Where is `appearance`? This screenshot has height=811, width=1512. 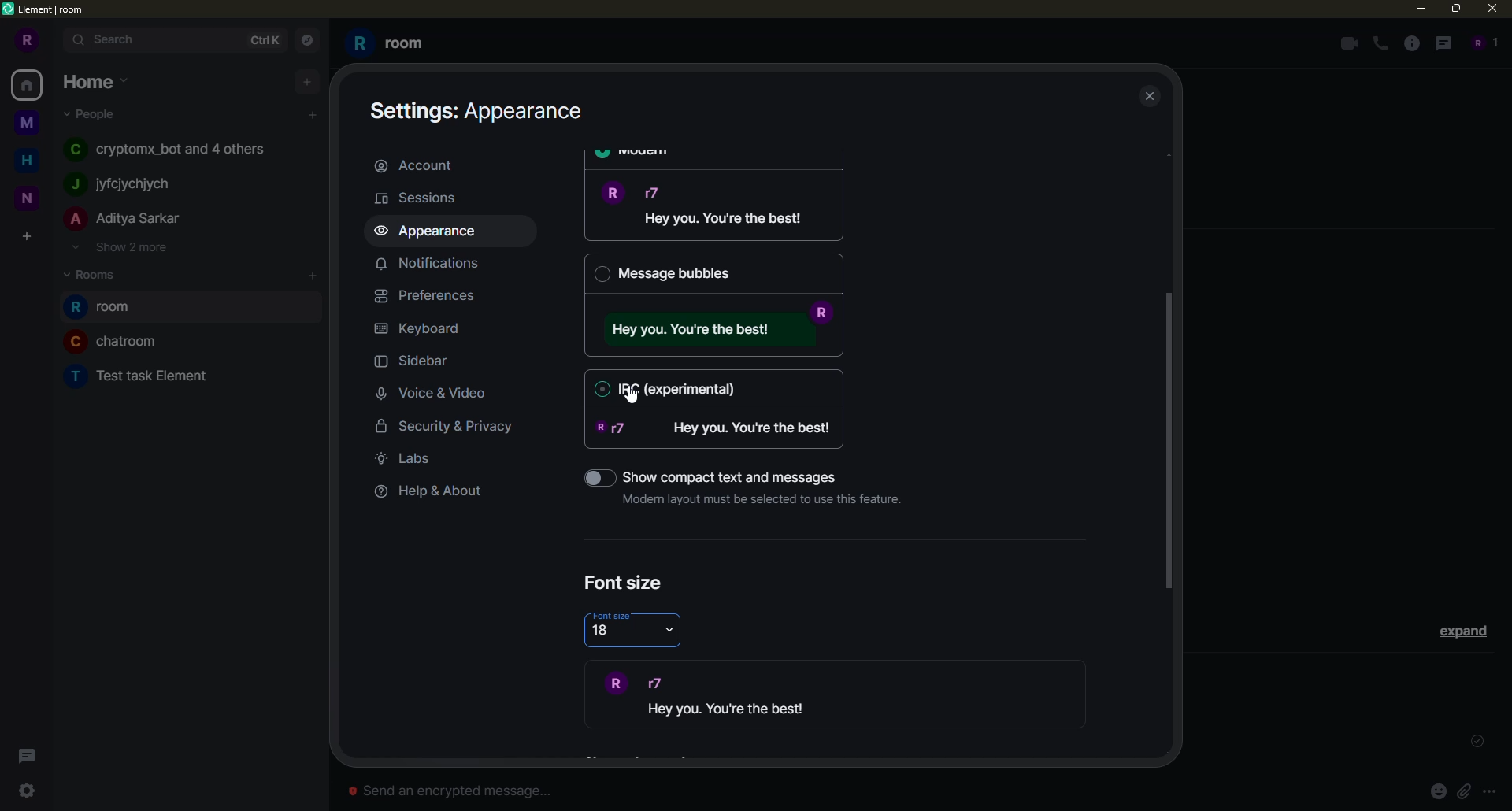
appearance is located at coordinates (428, 229).